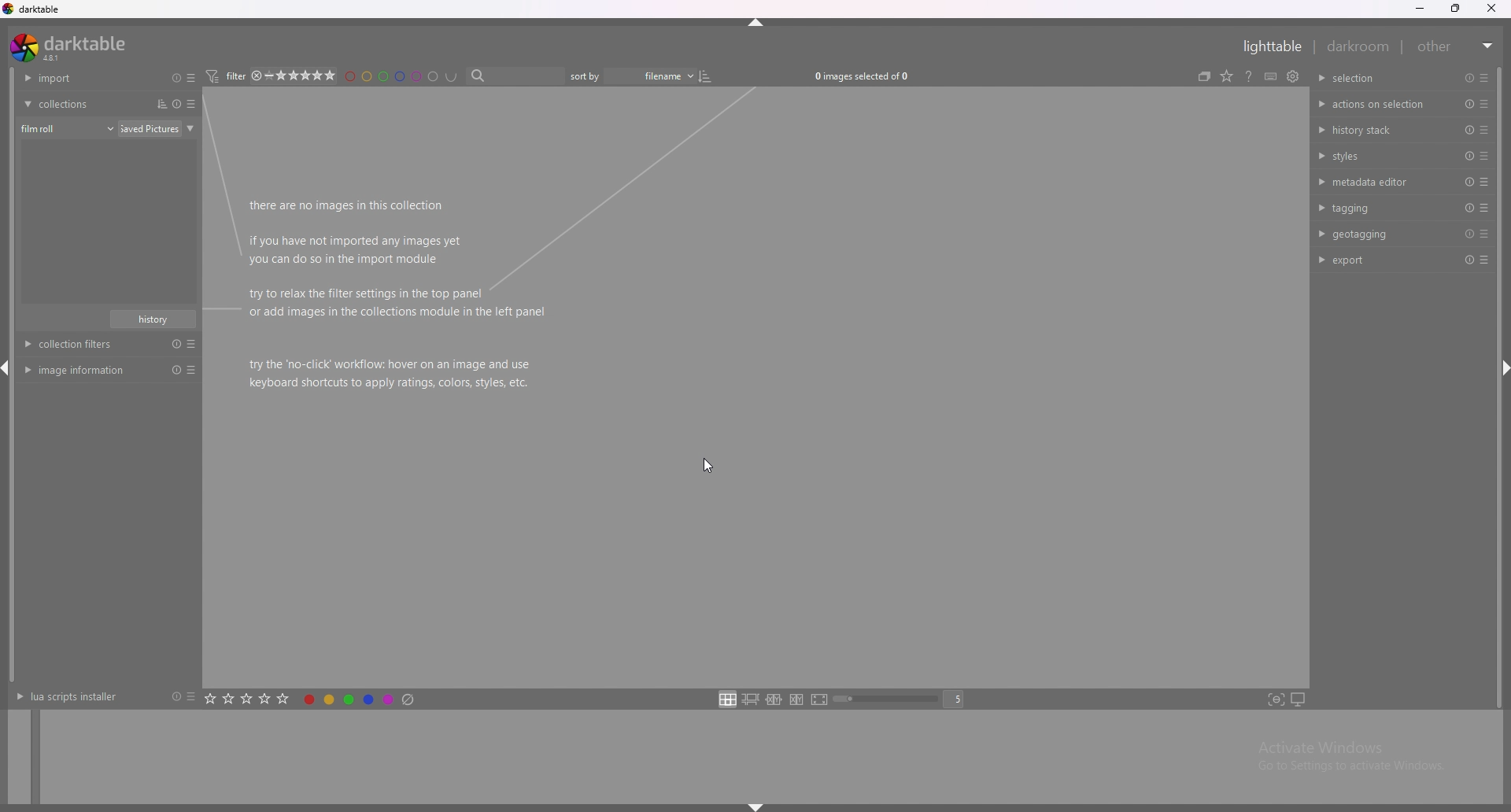  Describe the element at coordinates (1467, 208) in the screenshot. I see `reset` at that location.